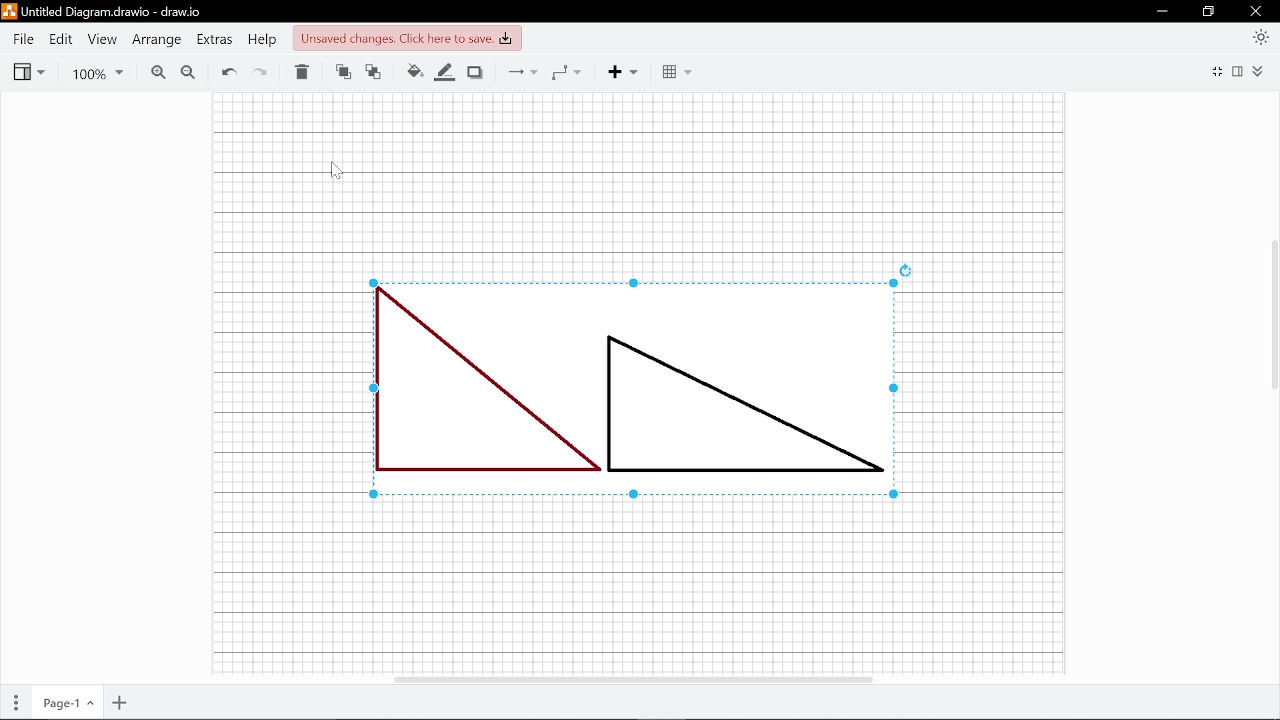 The width and height of the screenshot is (1280, 720). What do you see at coordinates (406, 38) in the screenshot?
I see `unsaved changes. click here to save` at bounding box center [406, 38].